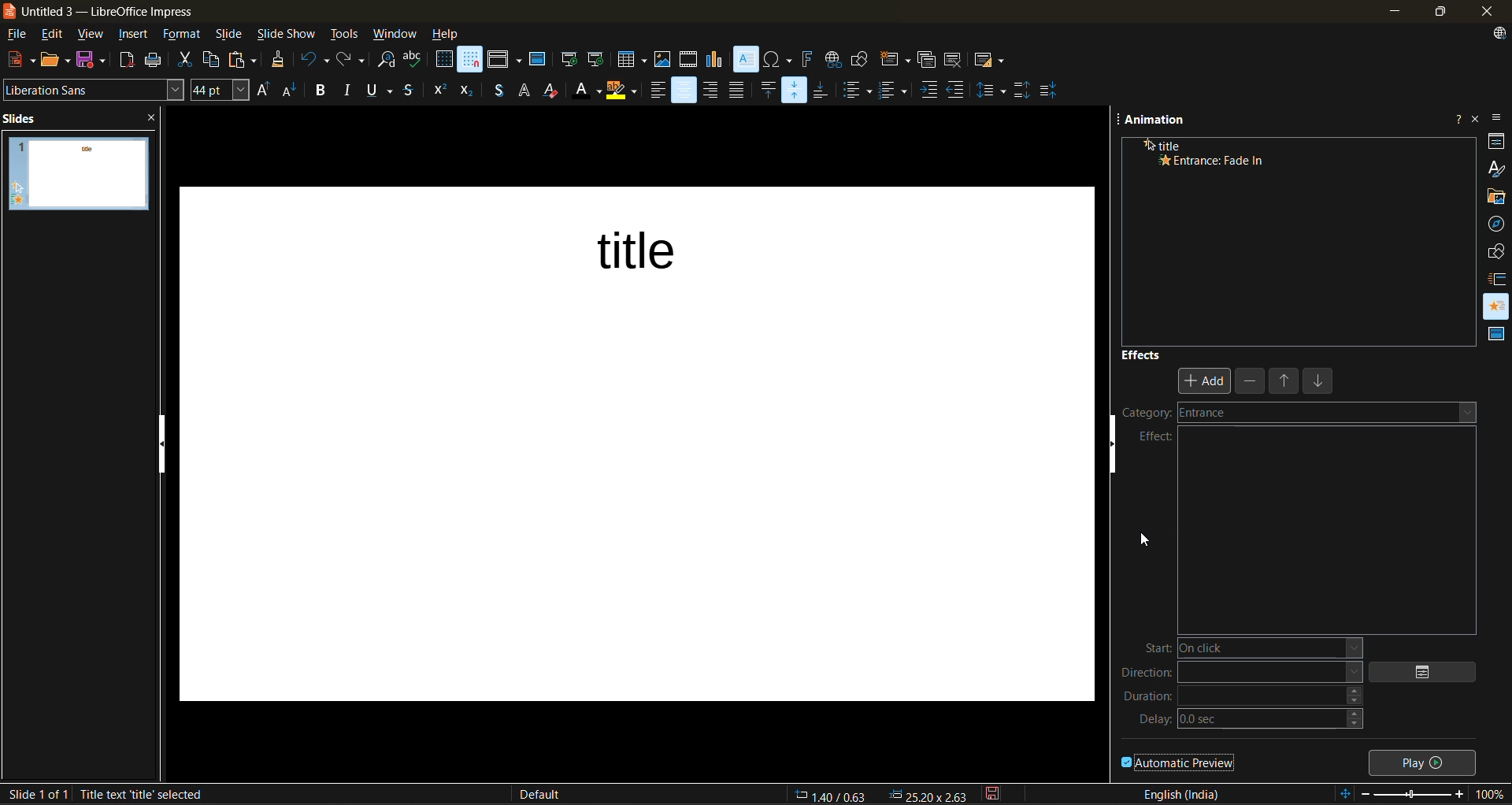 The height and width of the screenshot is (805, 1512). Describe the element at coordinates (807, 59) in the screenshot. I see `insert fontwork text` at that location.